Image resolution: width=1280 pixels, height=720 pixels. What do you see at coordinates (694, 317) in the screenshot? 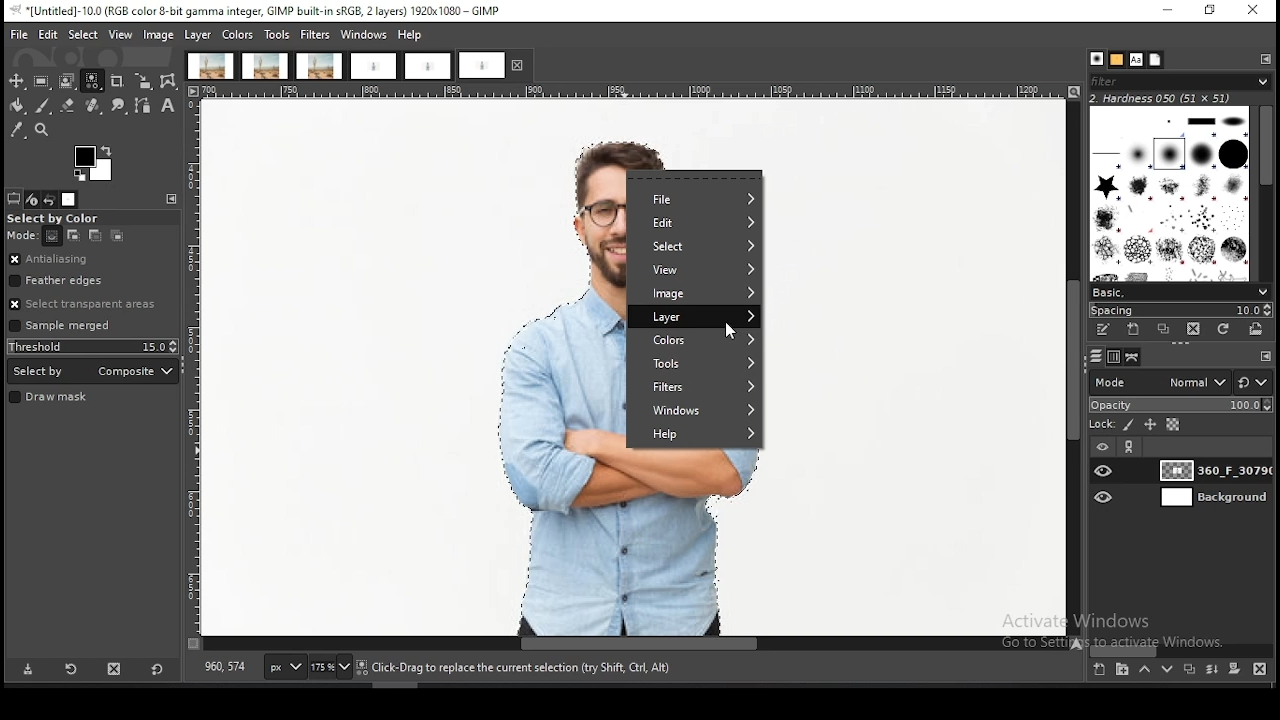
I see `layer` at bounding box center [694, 317].